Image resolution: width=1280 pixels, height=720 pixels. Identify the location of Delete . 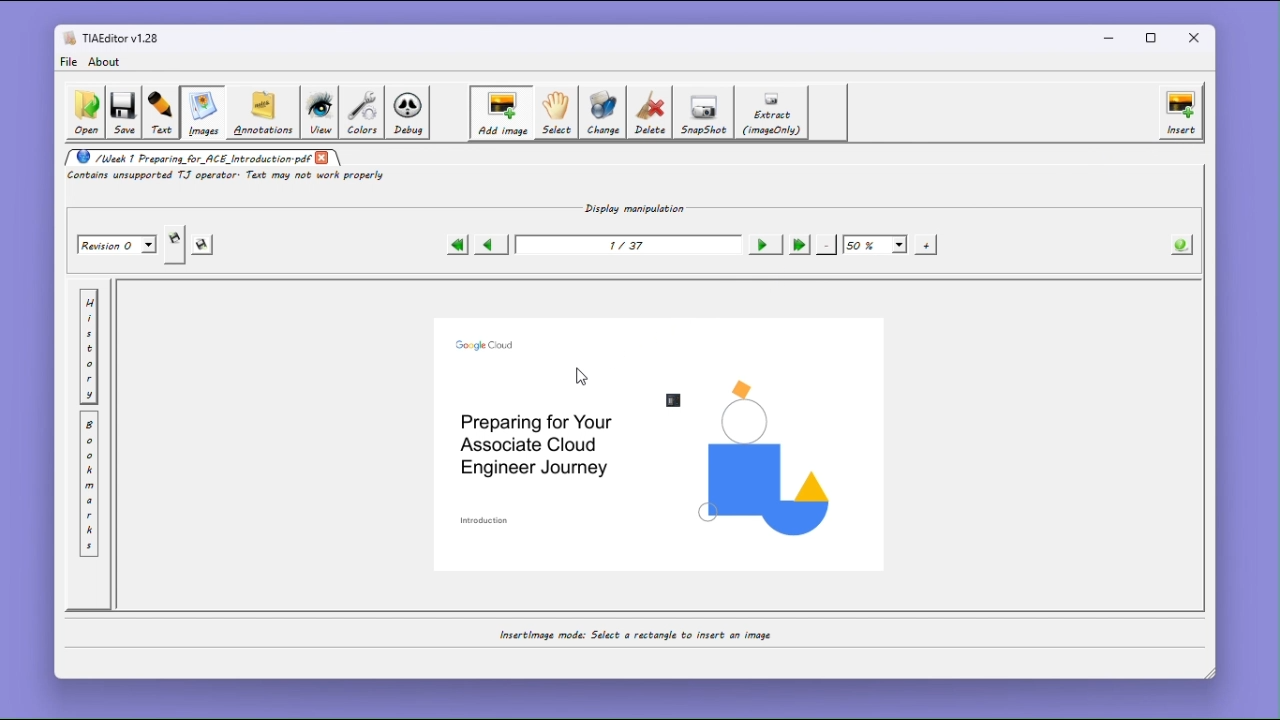
(651, 112).